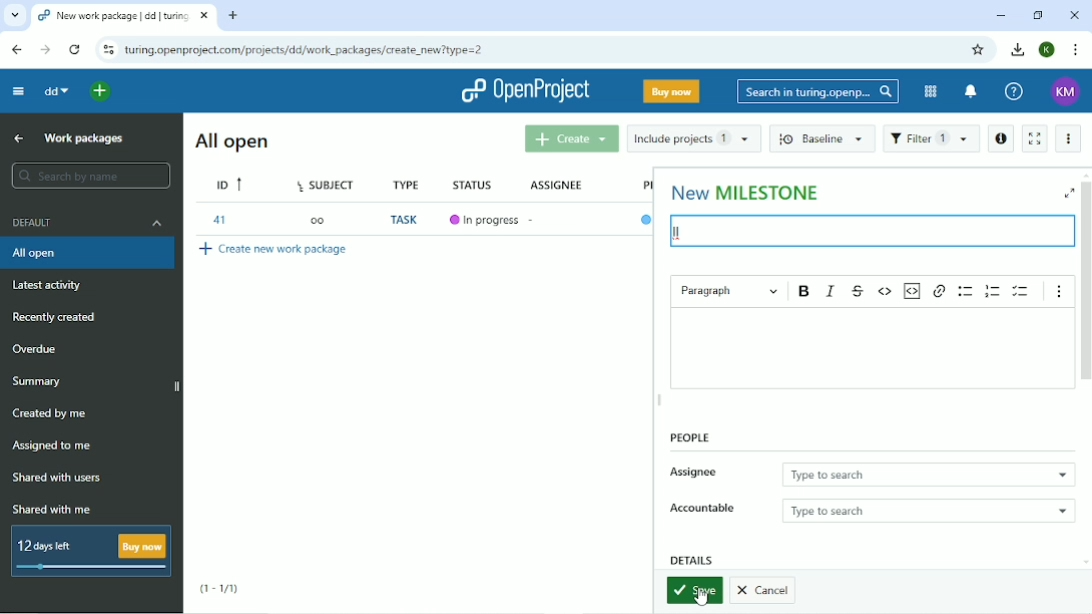 The height and width of the screenshot is (614, 1092). Describe the element at coordinates (765, 592) in the screenshot. I see `Cancel` at that location.